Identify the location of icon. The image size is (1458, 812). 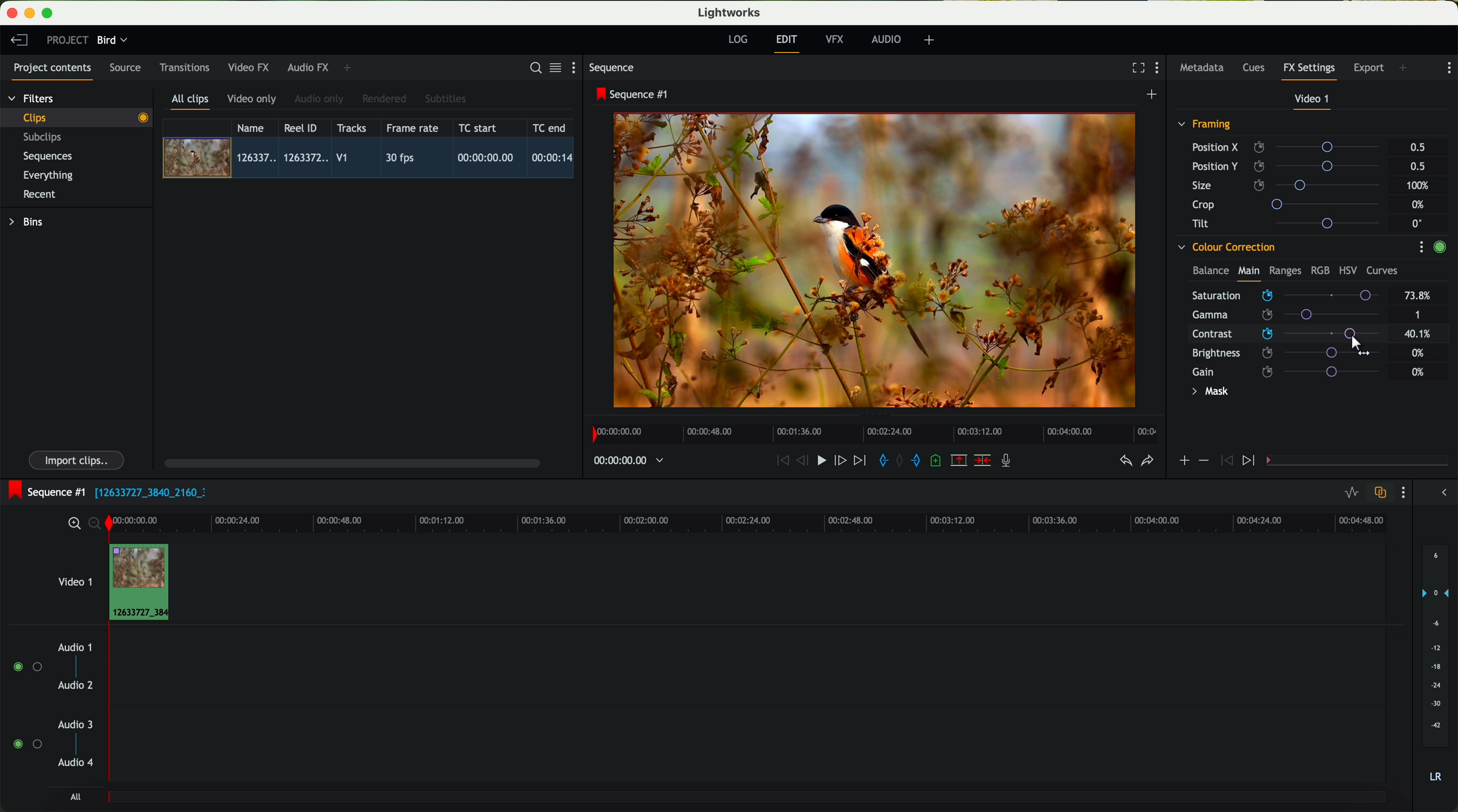
(1250, 461).